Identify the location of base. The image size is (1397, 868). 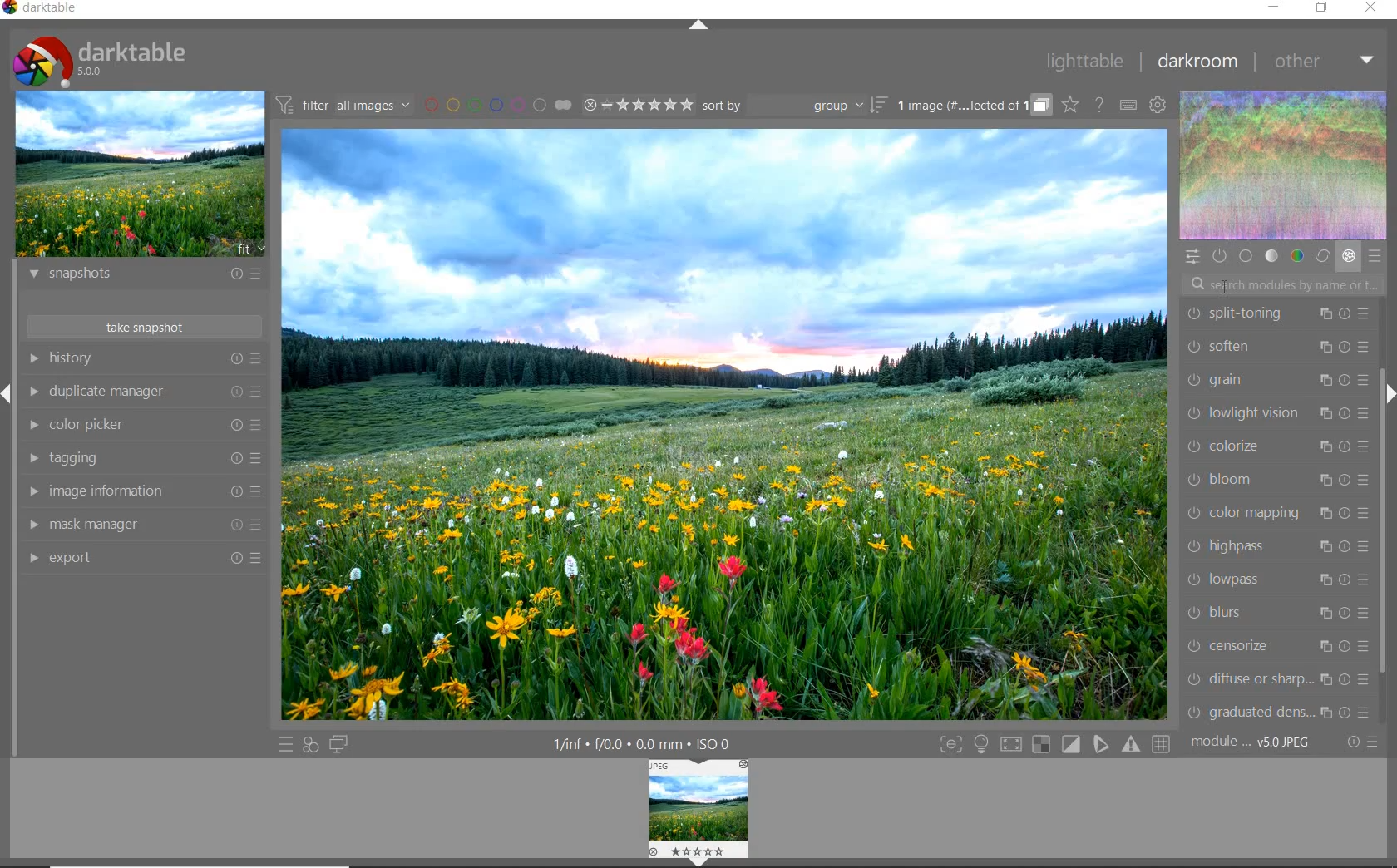
(1246, 256).